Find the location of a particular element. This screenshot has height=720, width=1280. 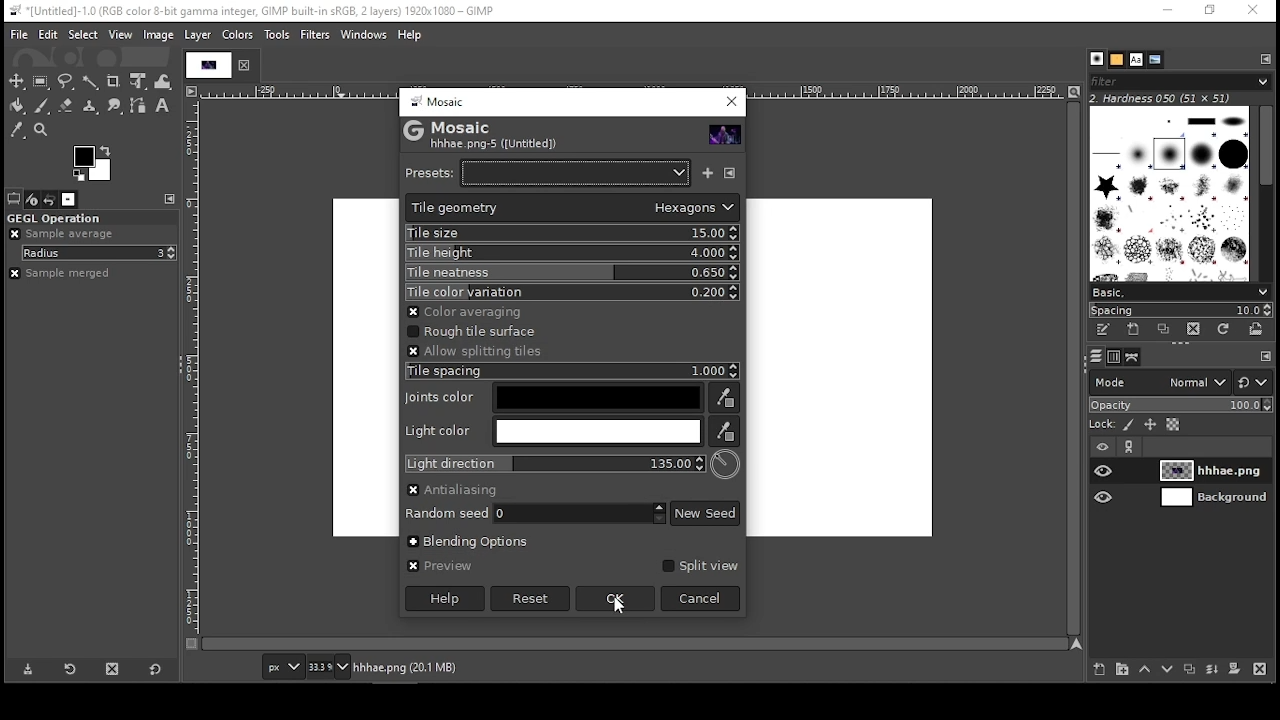

move tool is located at coordinates (17, 79).